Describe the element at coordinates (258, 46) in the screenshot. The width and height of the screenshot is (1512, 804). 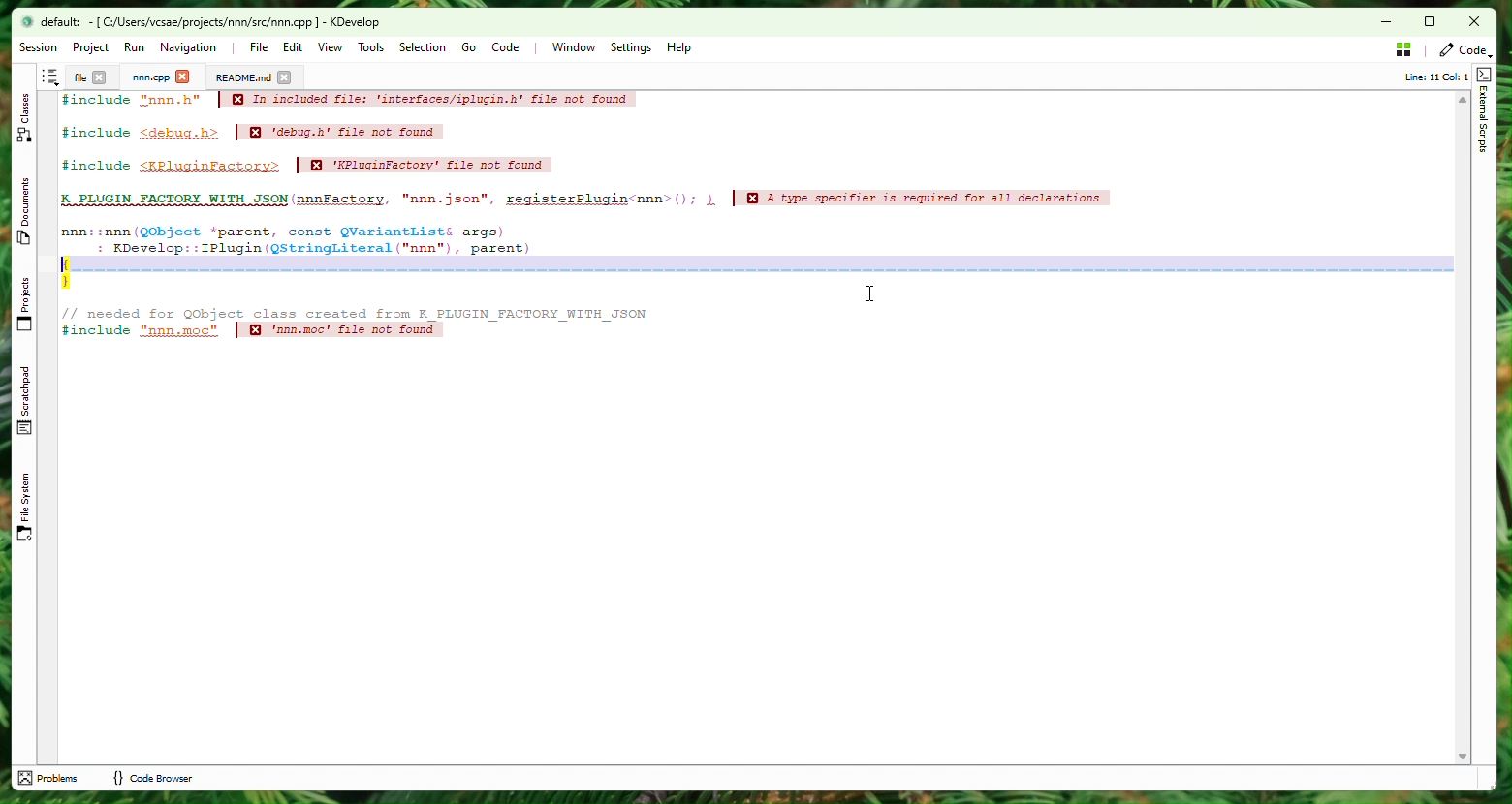
I see `File` at that location.